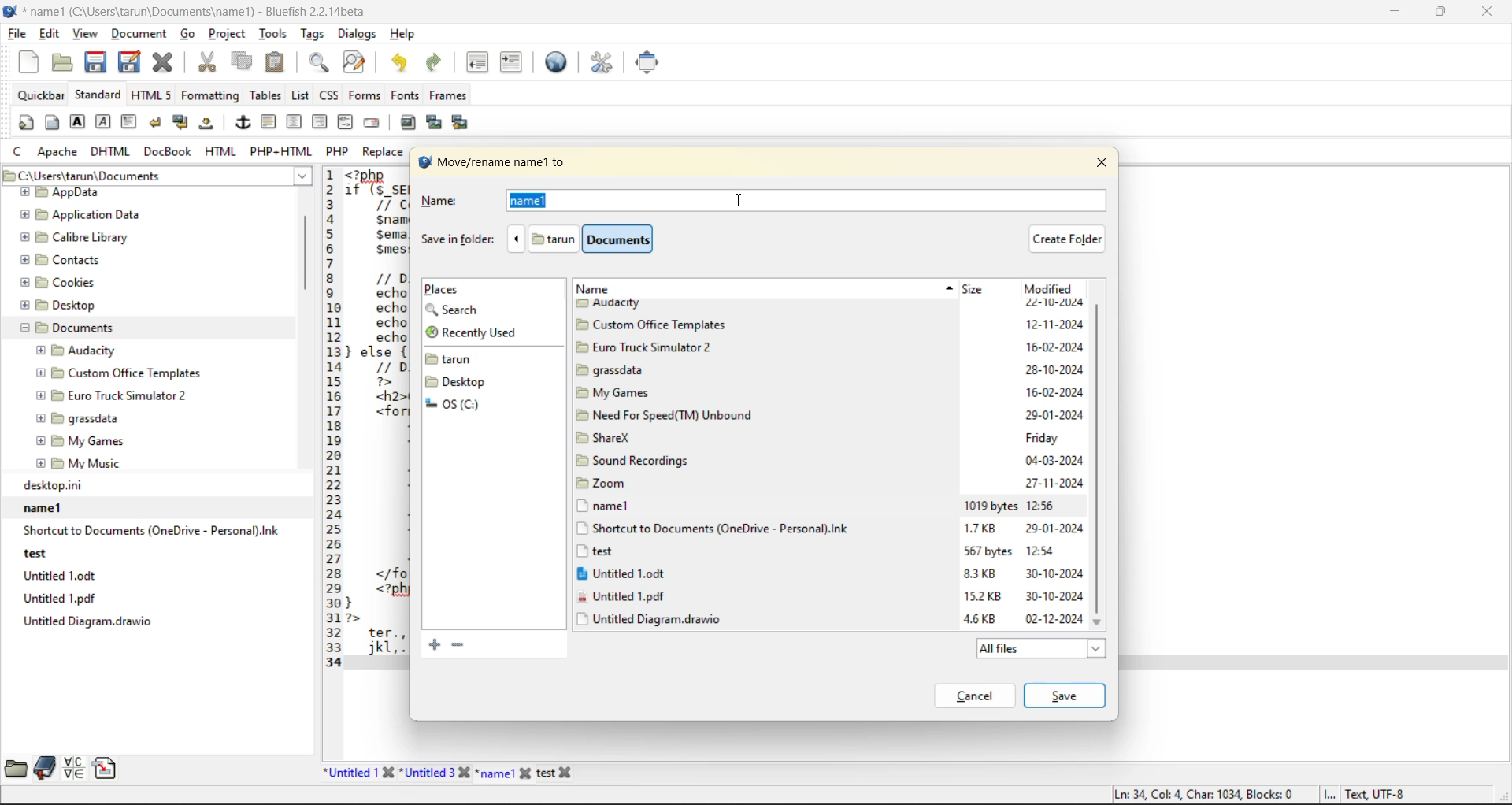 This screenshot has width=1512, height=805. I want to click on body, so click(52, 124).